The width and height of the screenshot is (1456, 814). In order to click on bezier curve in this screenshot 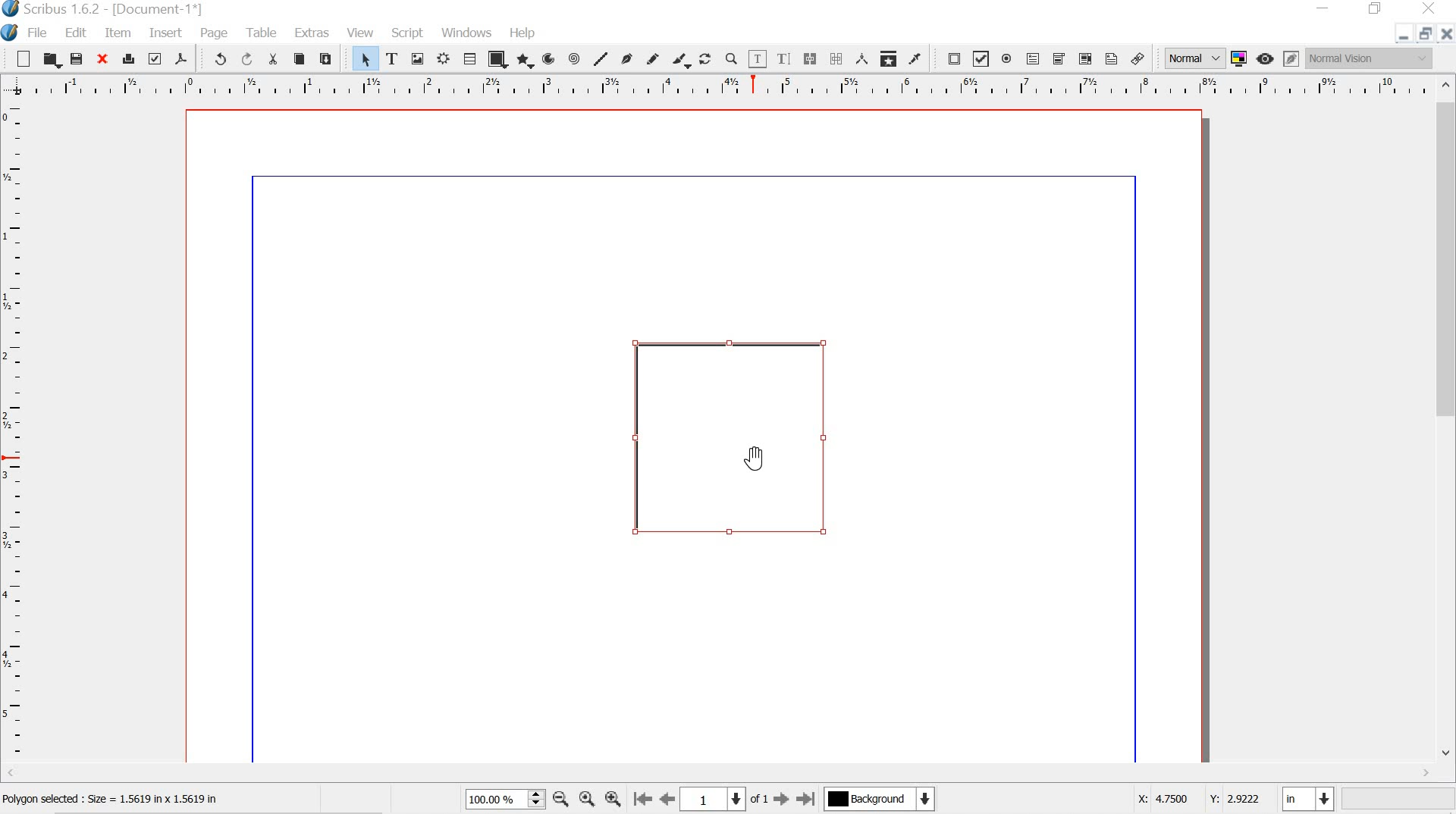, I will do `click(627, 55)`.